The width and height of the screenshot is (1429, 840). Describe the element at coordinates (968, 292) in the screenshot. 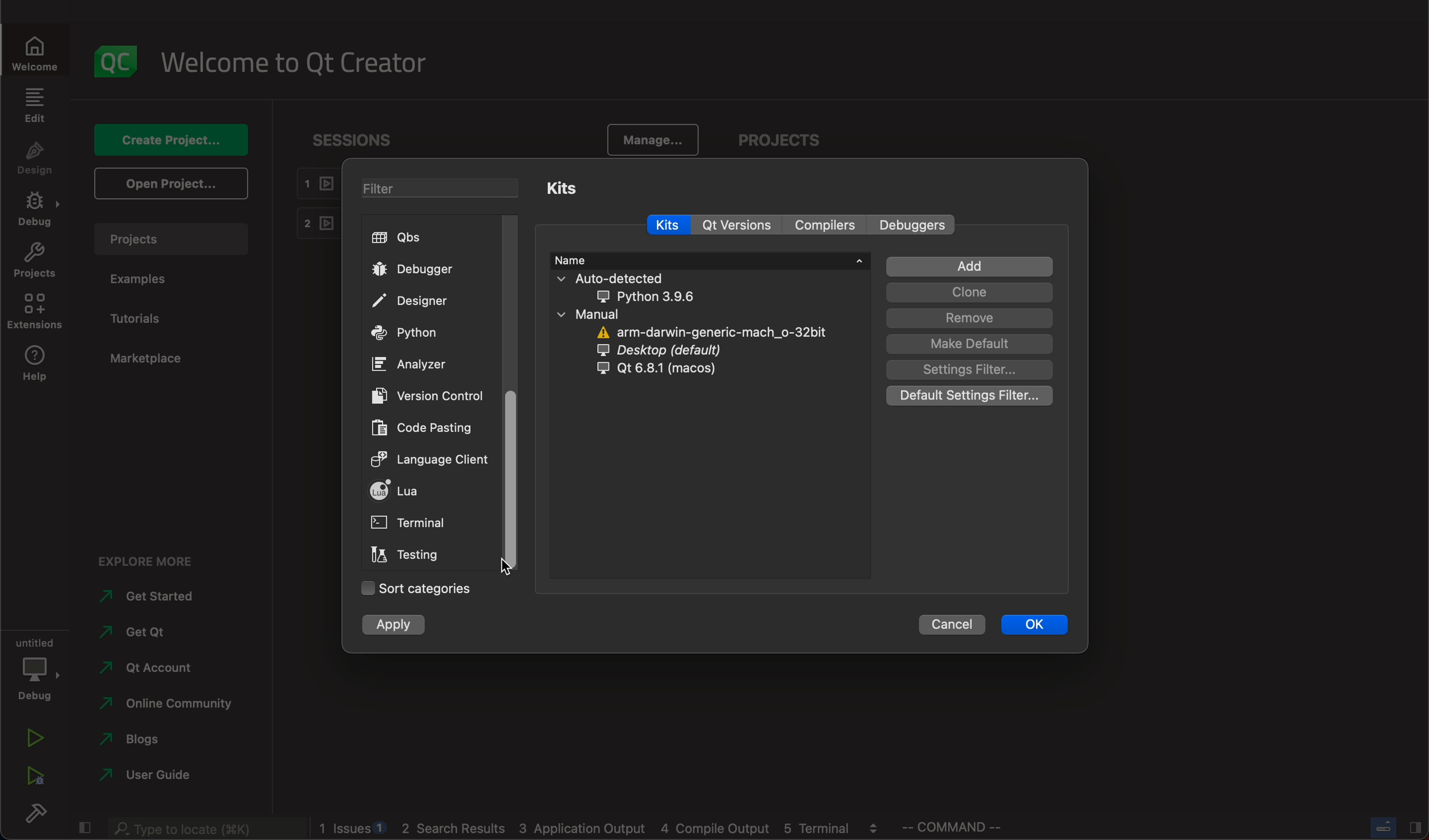

I see `clone` at that location.